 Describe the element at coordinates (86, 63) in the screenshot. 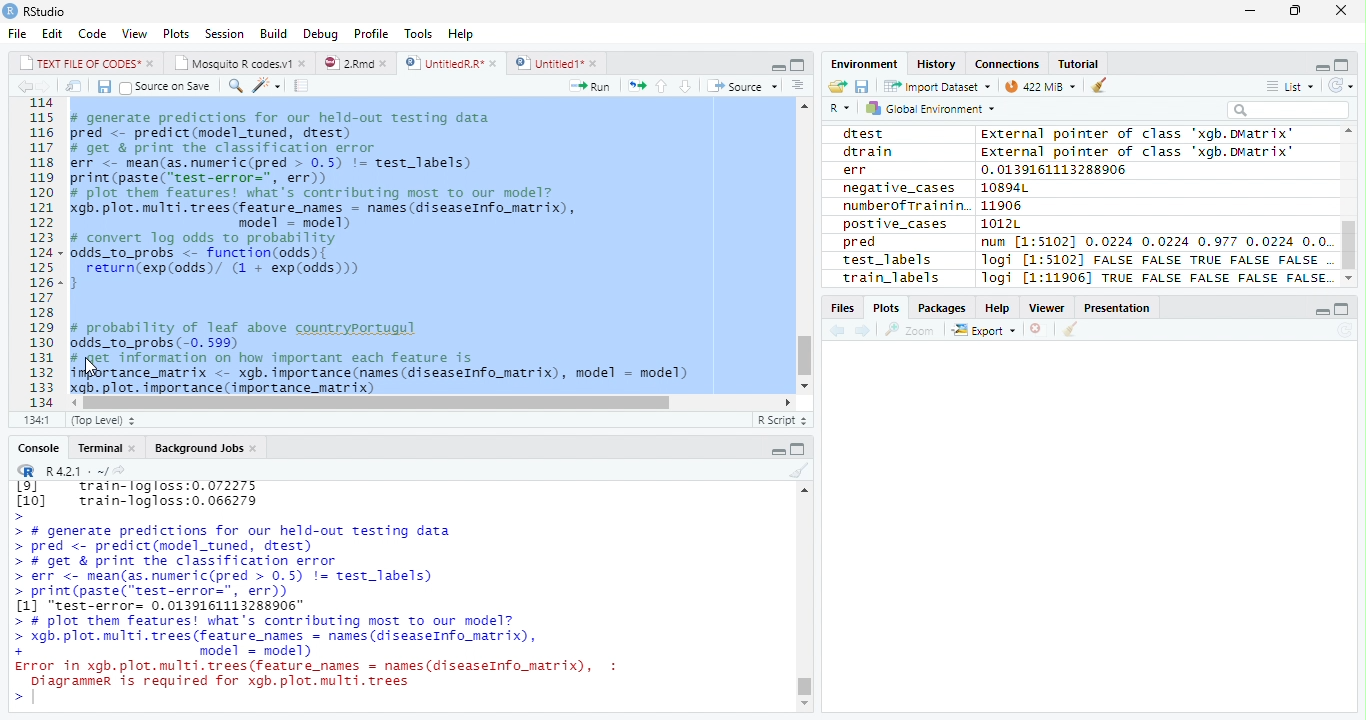

I see `TEXT FILE OF CODES" ` at that location.